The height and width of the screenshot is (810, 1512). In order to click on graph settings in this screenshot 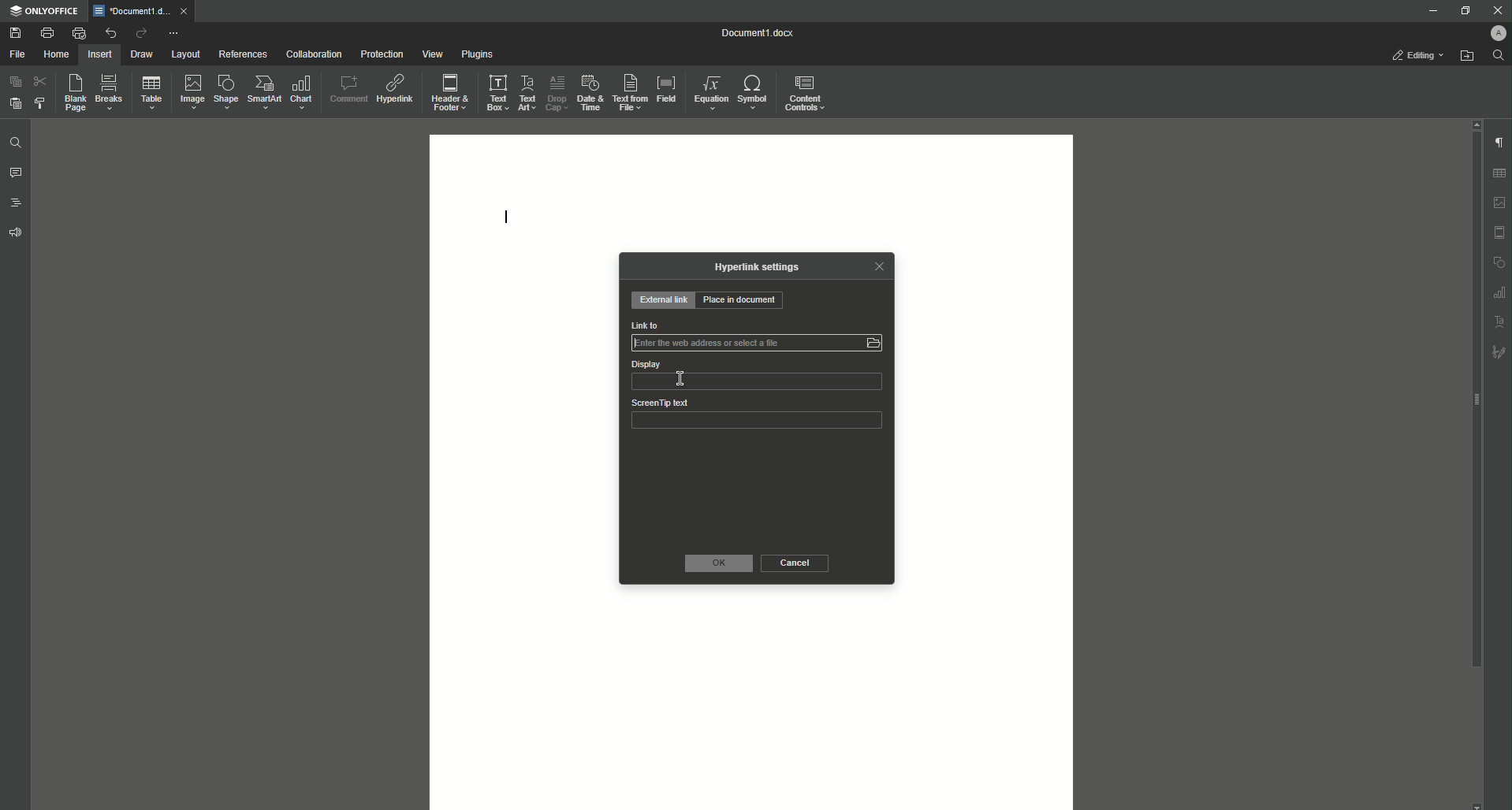, I will do `click(1501, 292)`.